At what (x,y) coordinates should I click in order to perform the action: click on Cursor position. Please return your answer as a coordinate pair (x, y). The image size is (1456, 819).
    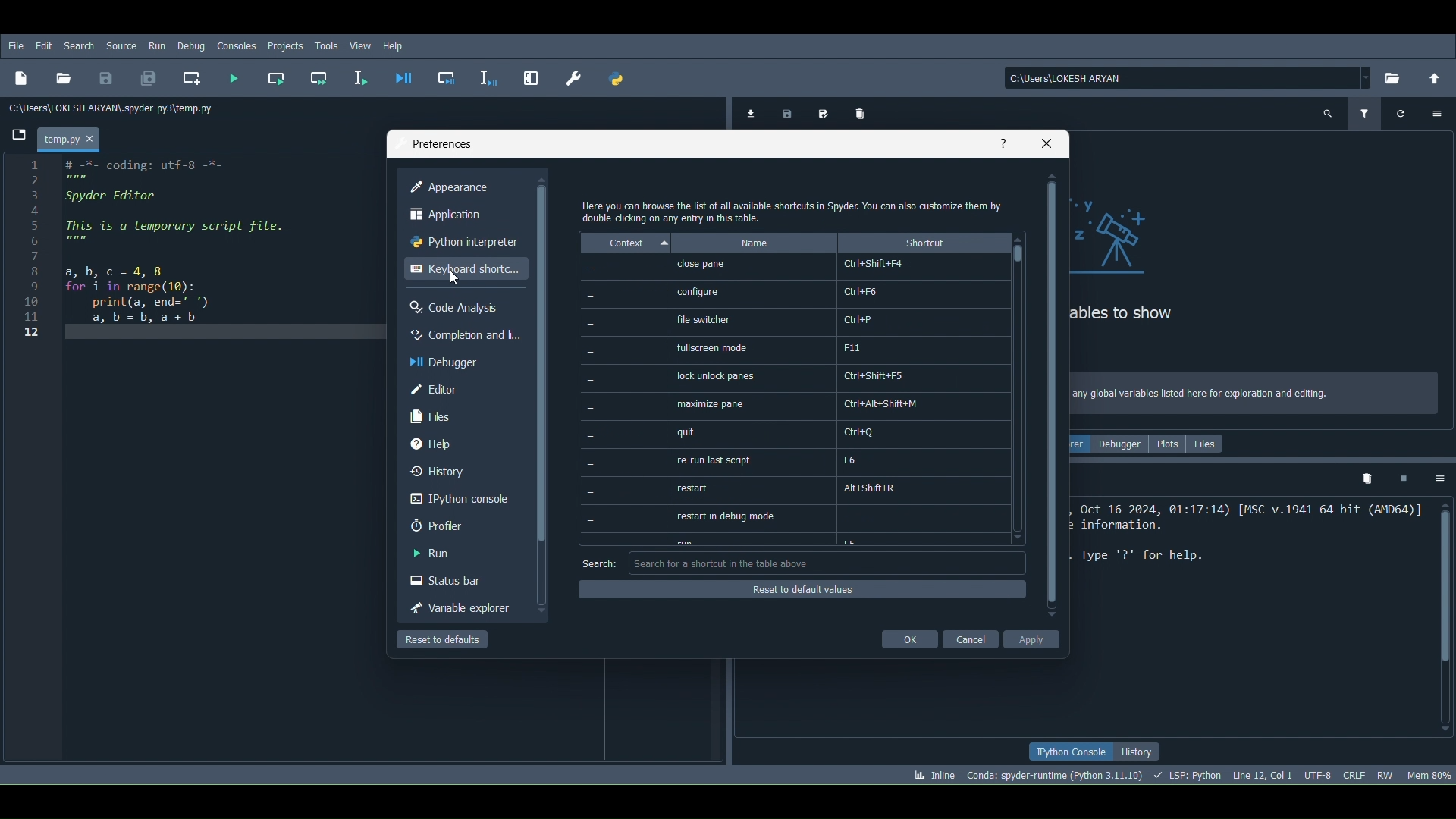
    Looking at the image, I should click on (1260, 773).